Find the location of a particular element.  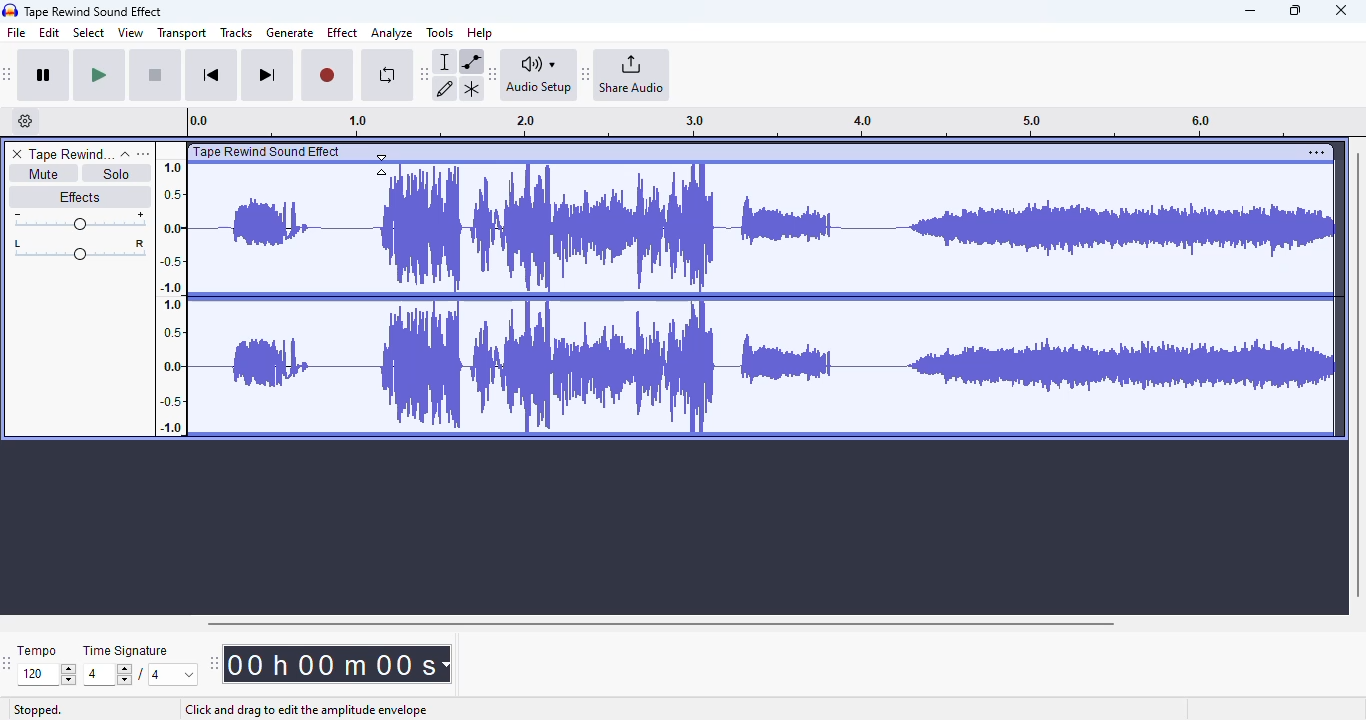

time signature is located at coordinates (126, 651).